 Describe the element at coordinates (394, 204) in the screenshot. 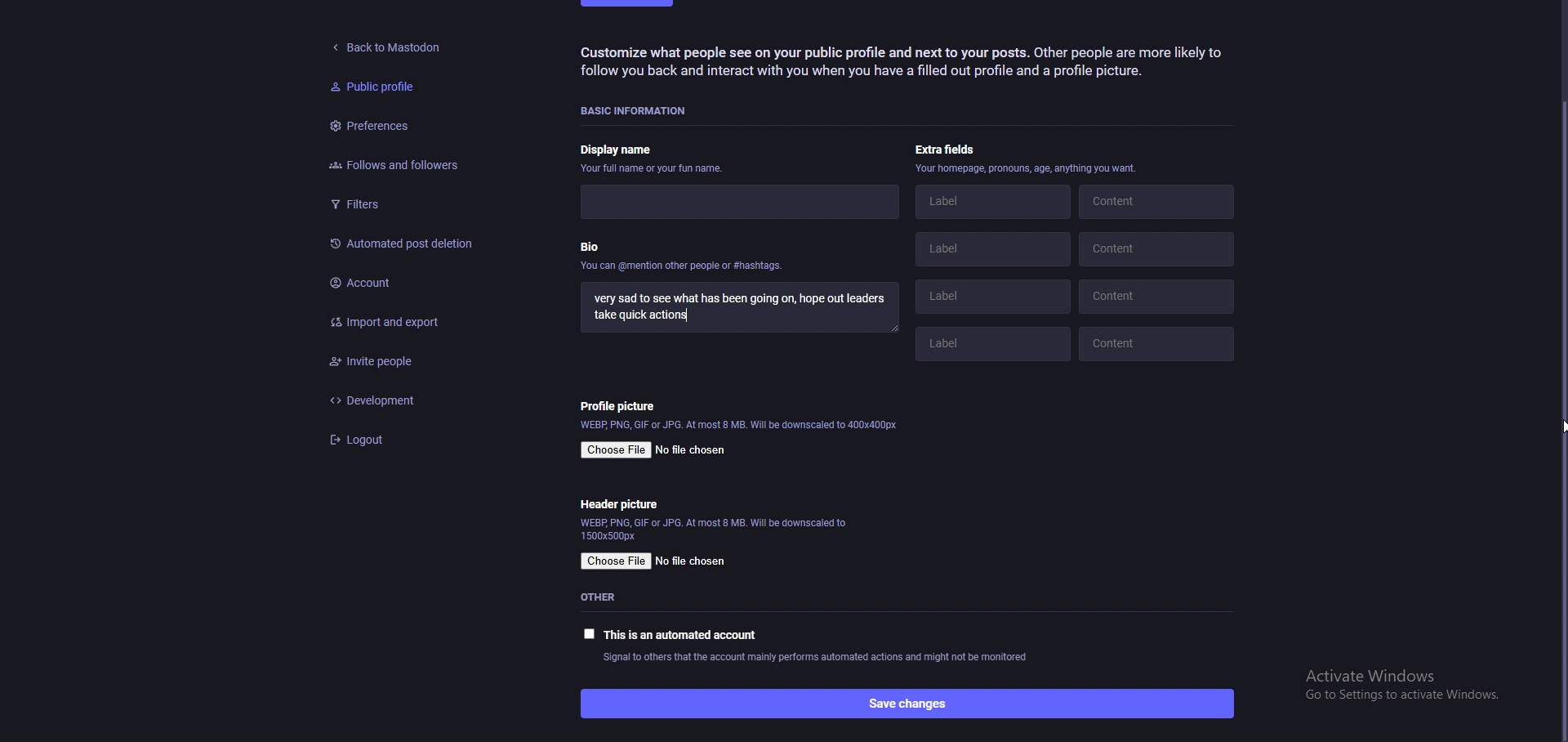

I see `Filters` at that location.